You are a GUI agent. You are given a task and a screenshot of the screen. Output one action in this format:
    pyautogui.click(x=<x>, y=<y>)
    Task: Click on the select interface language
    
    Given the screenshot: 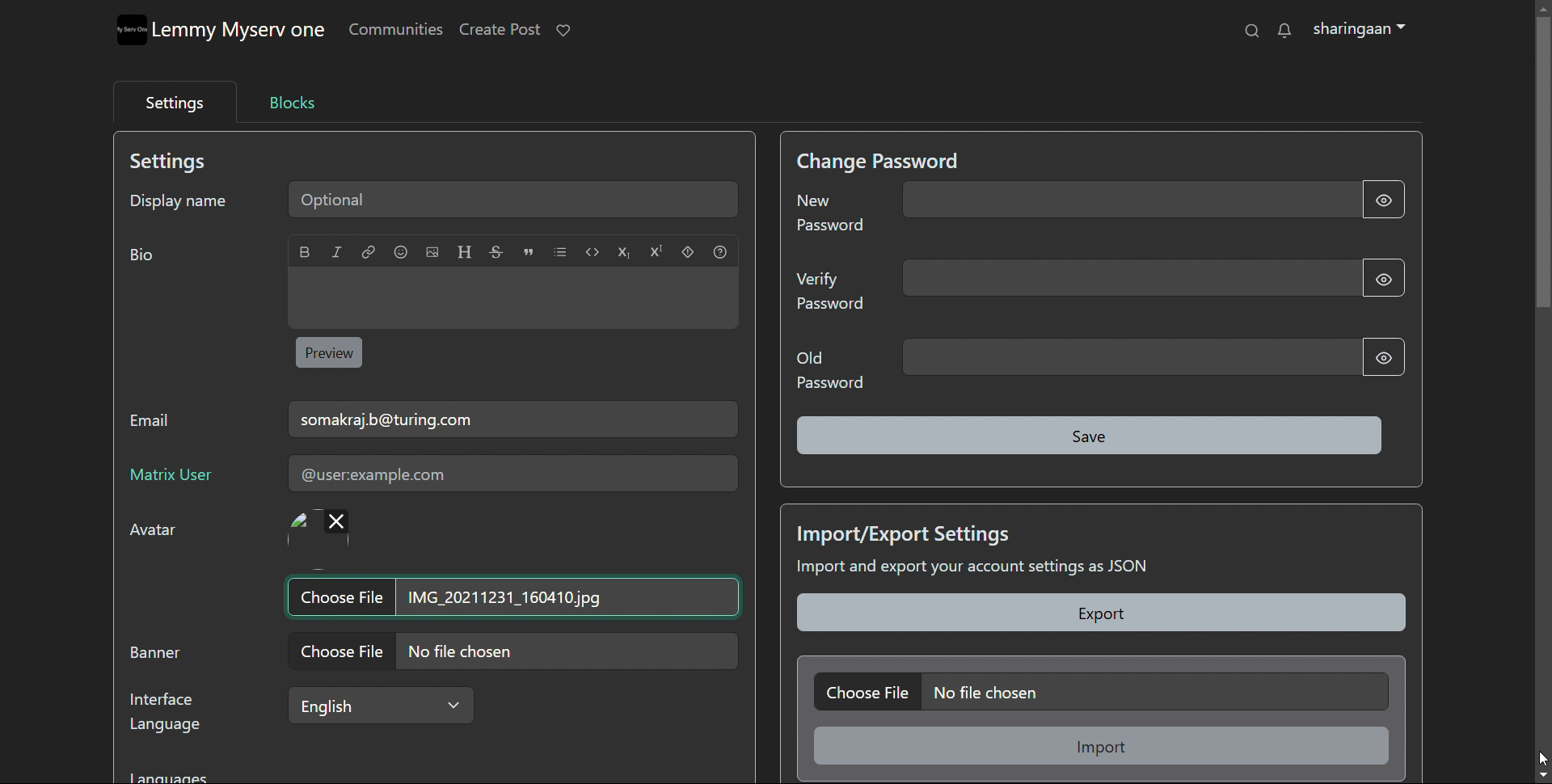 What is the action you would take?
    pyautogui.click(x=381, y=705)
    